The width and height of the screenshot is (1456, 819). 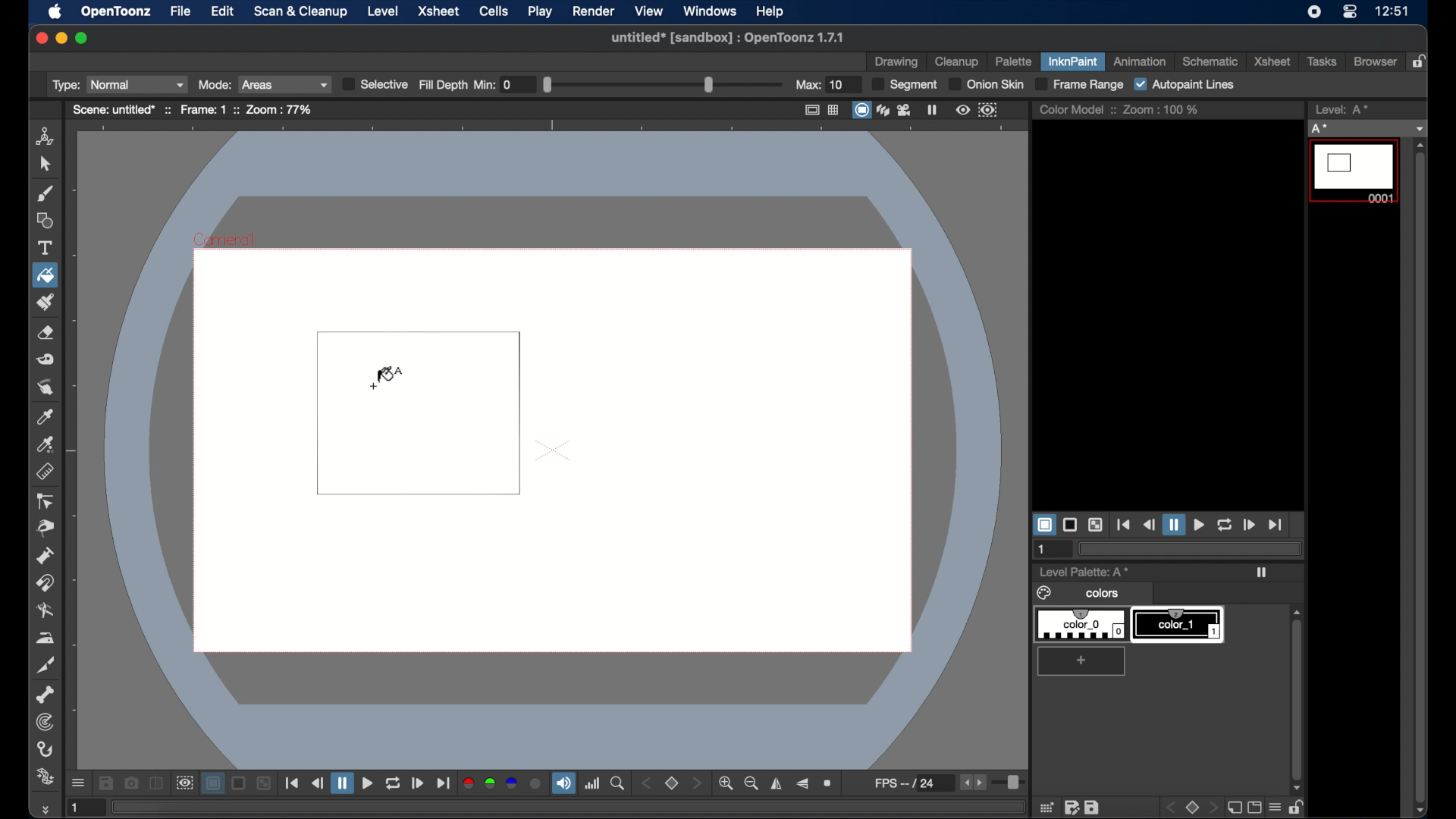 I want to click on more options, so click(x=78, y=784).